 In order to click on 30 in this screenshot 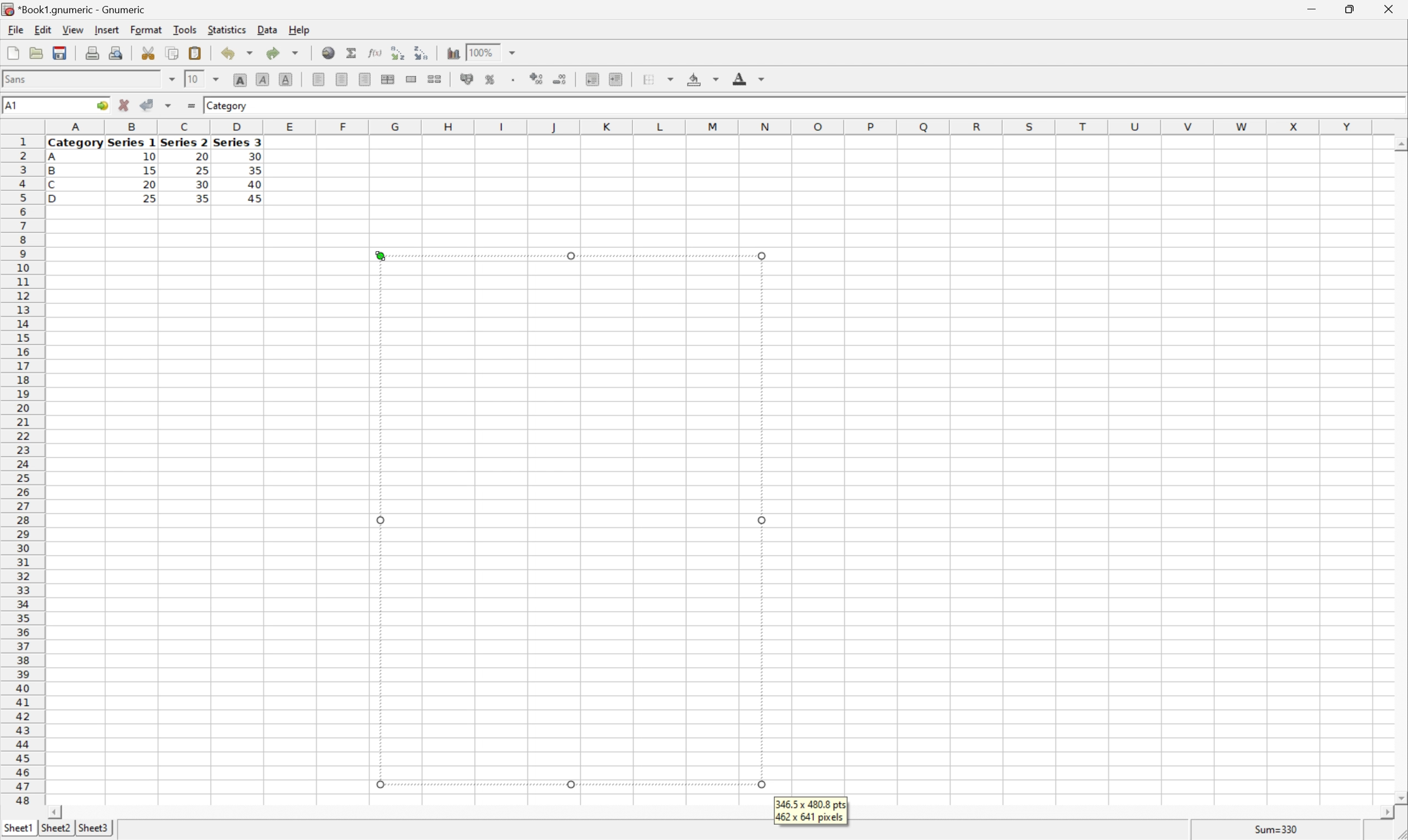, I will do `click(254, 156)`.